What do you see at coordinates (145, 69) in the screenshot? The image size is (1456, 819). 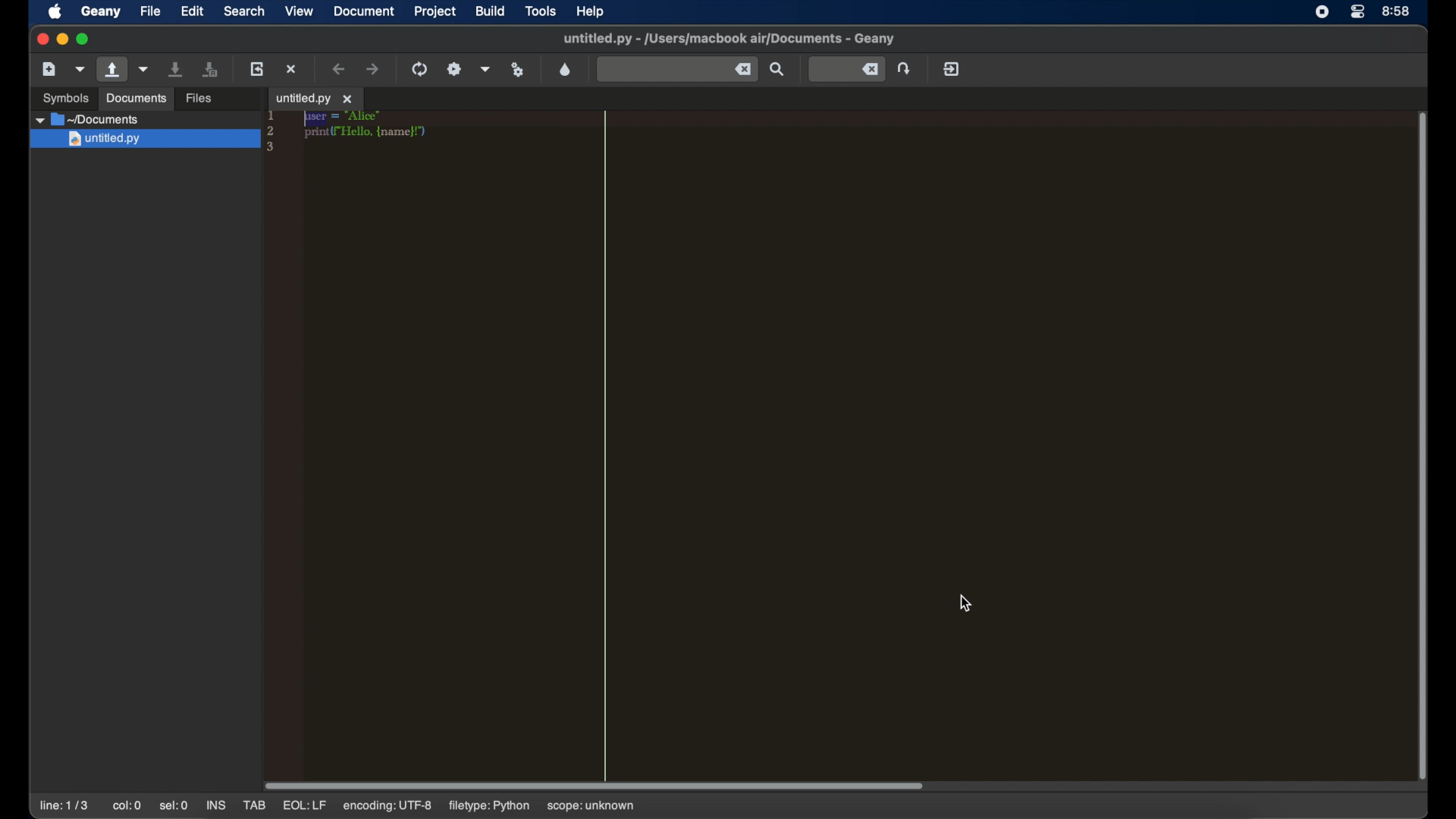 I see `open current file` at bounding box center [145, 69].